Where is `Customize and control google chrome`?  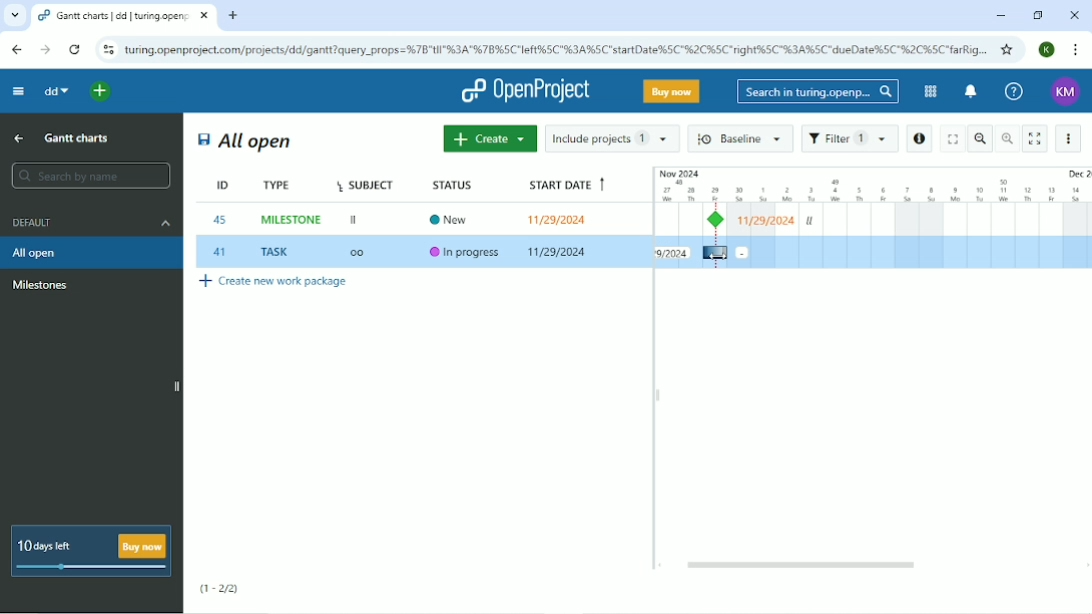
Customize and control google chrome is located at coordinates (1076, 51).